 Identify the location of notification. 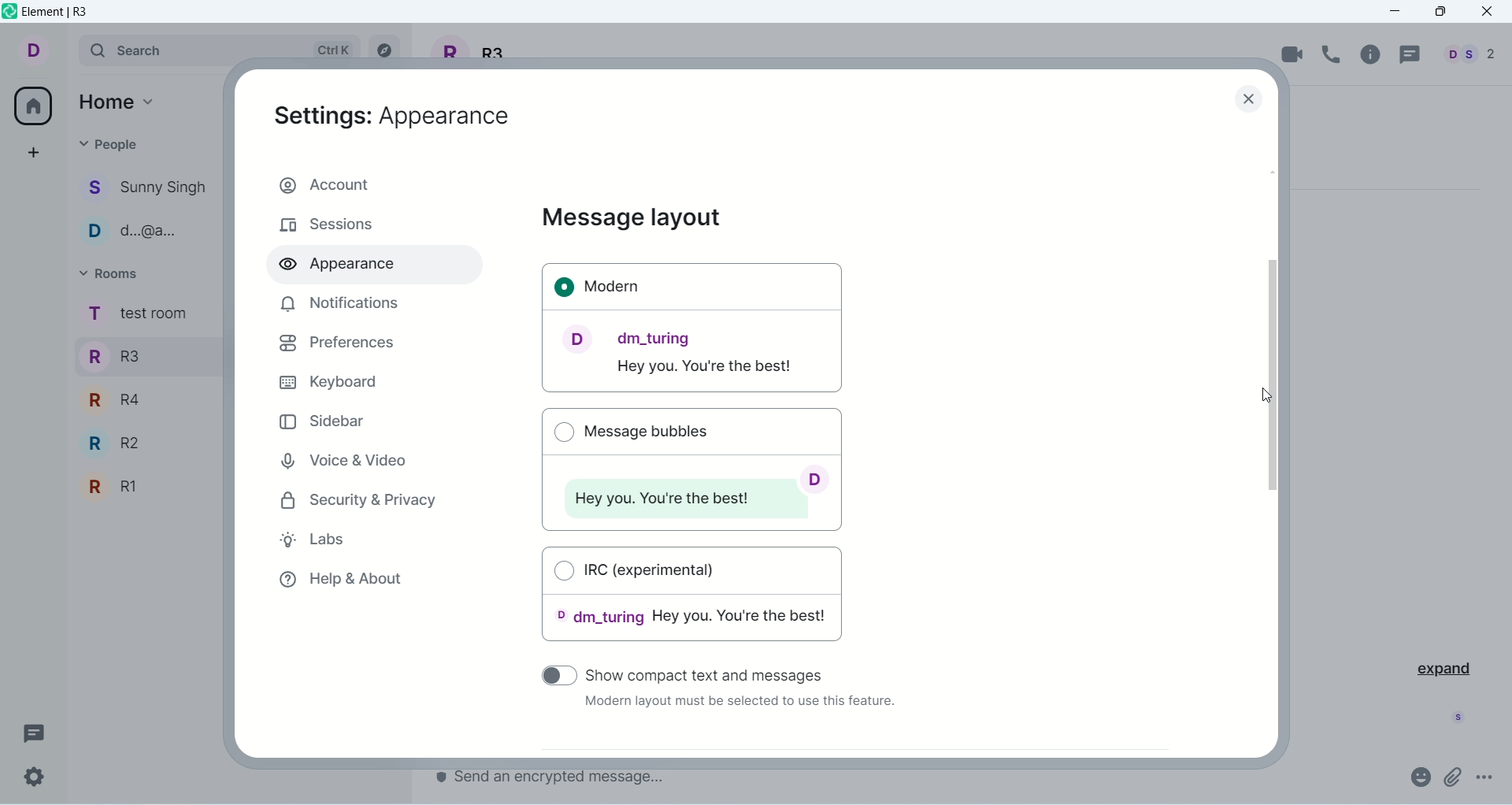
(336, 303).